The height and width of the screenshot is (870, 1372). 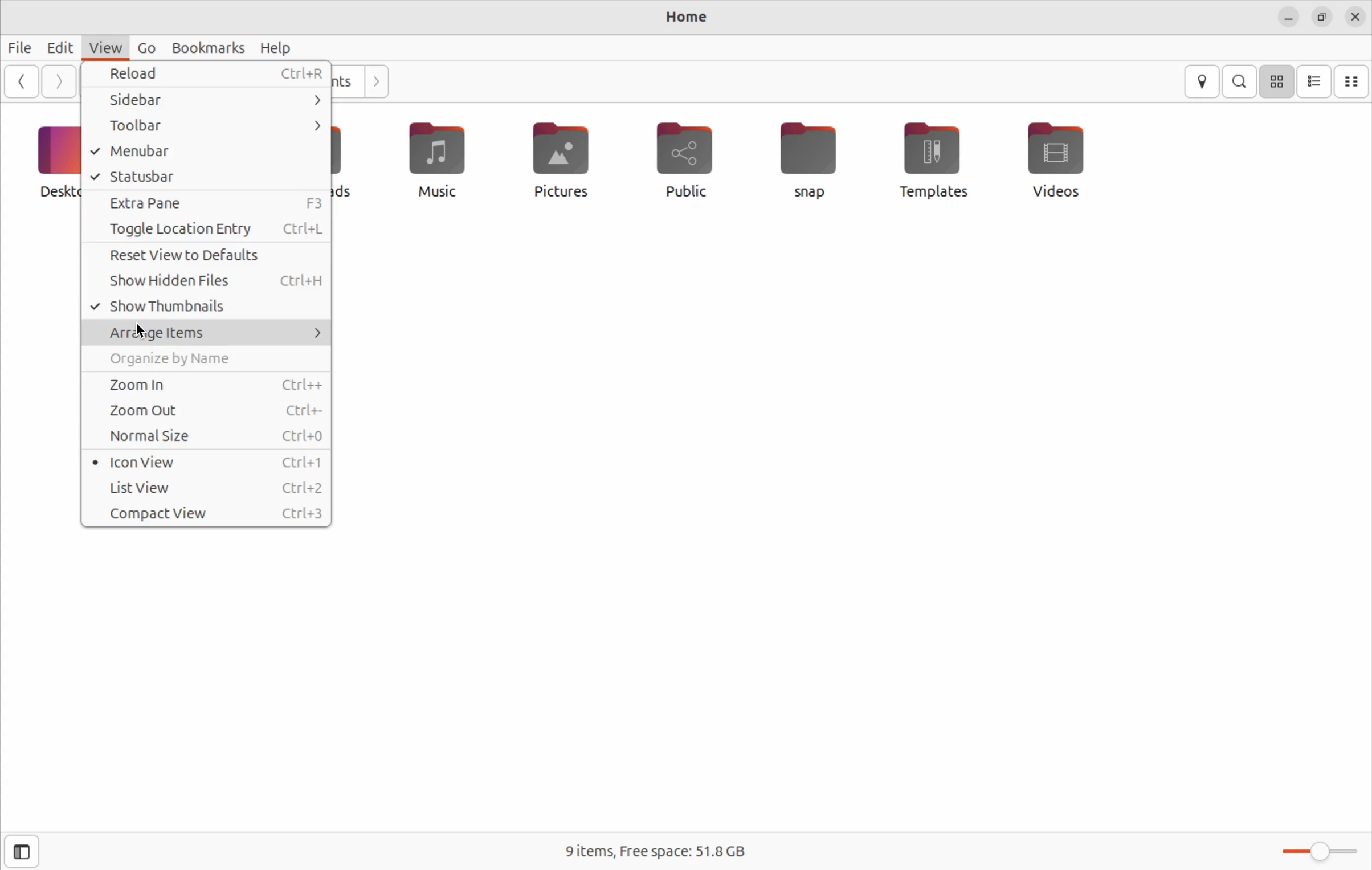 I want to click on menubar, so click(x=208, y=152).